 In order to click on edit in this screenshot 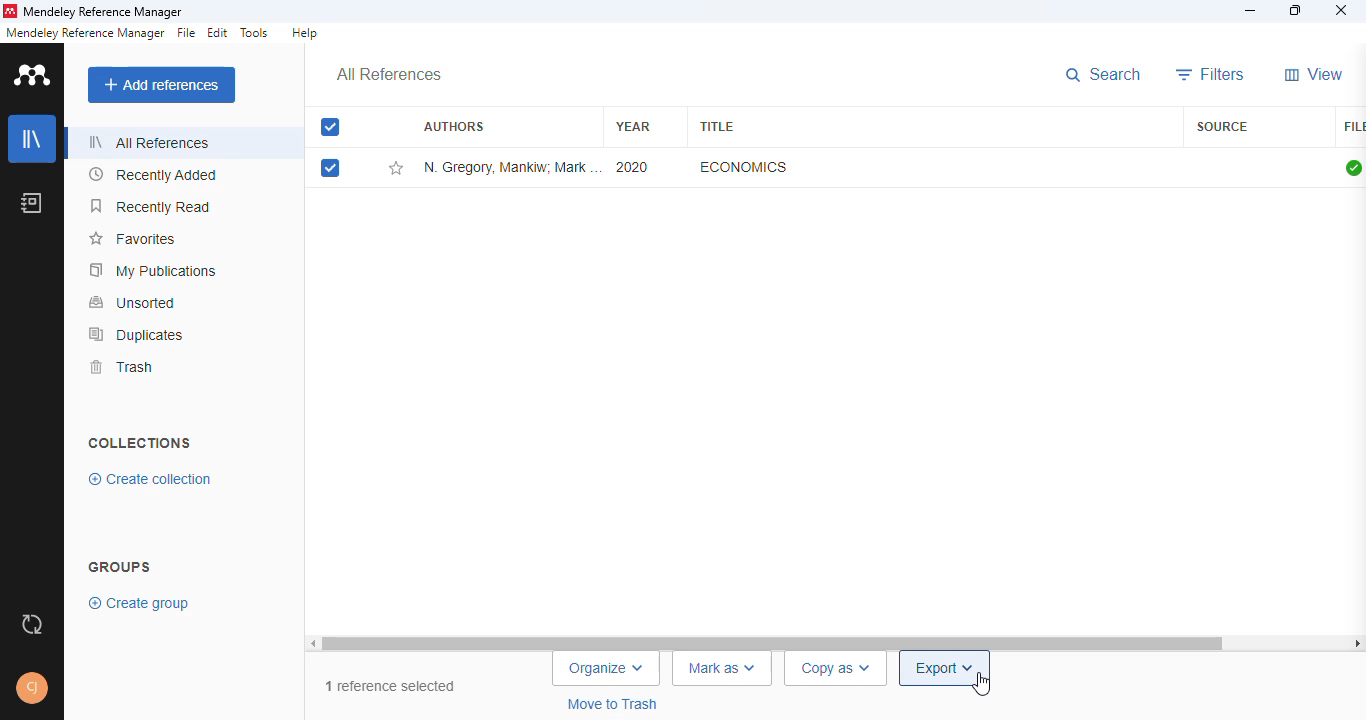, I will do `click(219, 33)`.